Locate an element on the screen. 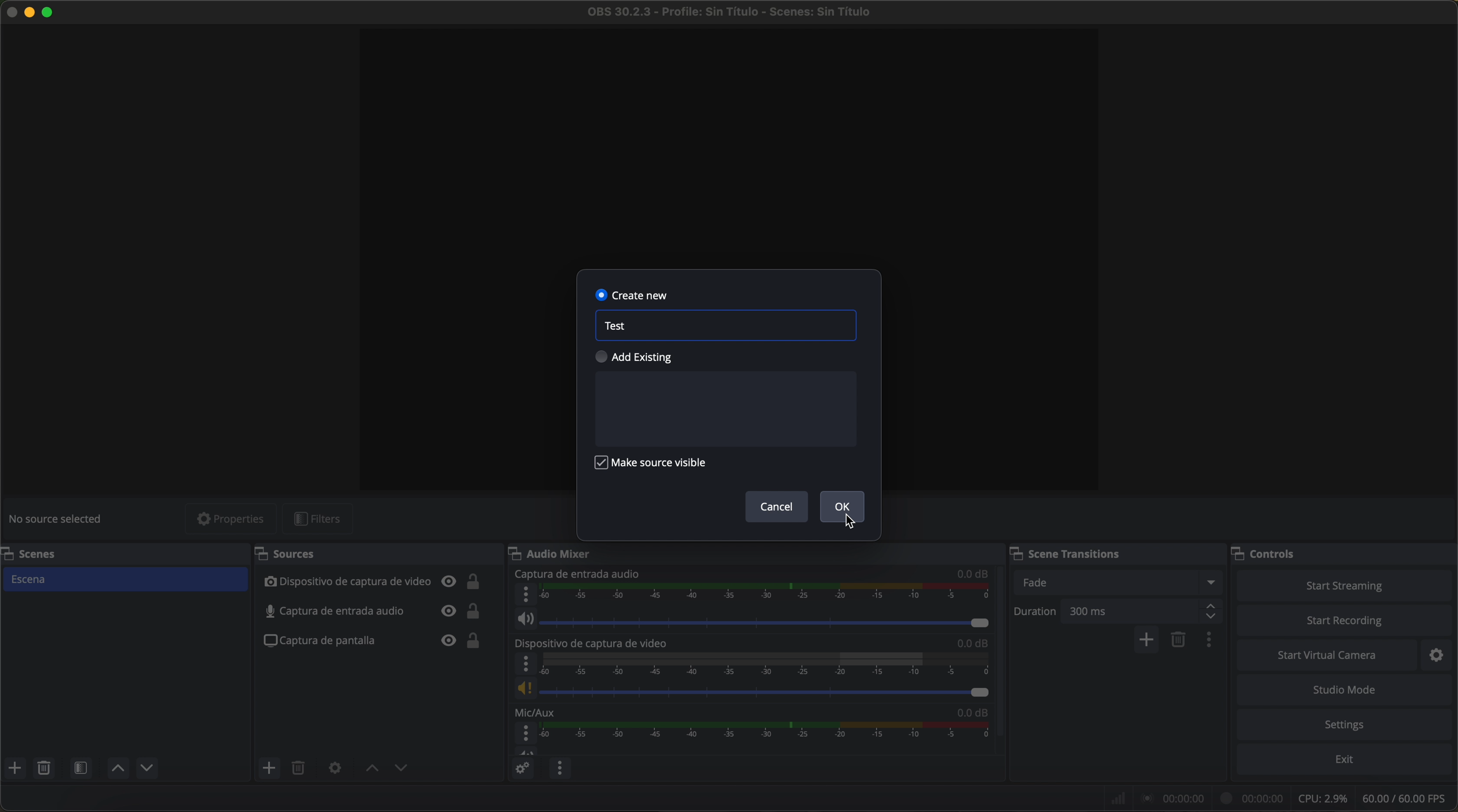  scene transitions is located at coordinates (1079, 552).